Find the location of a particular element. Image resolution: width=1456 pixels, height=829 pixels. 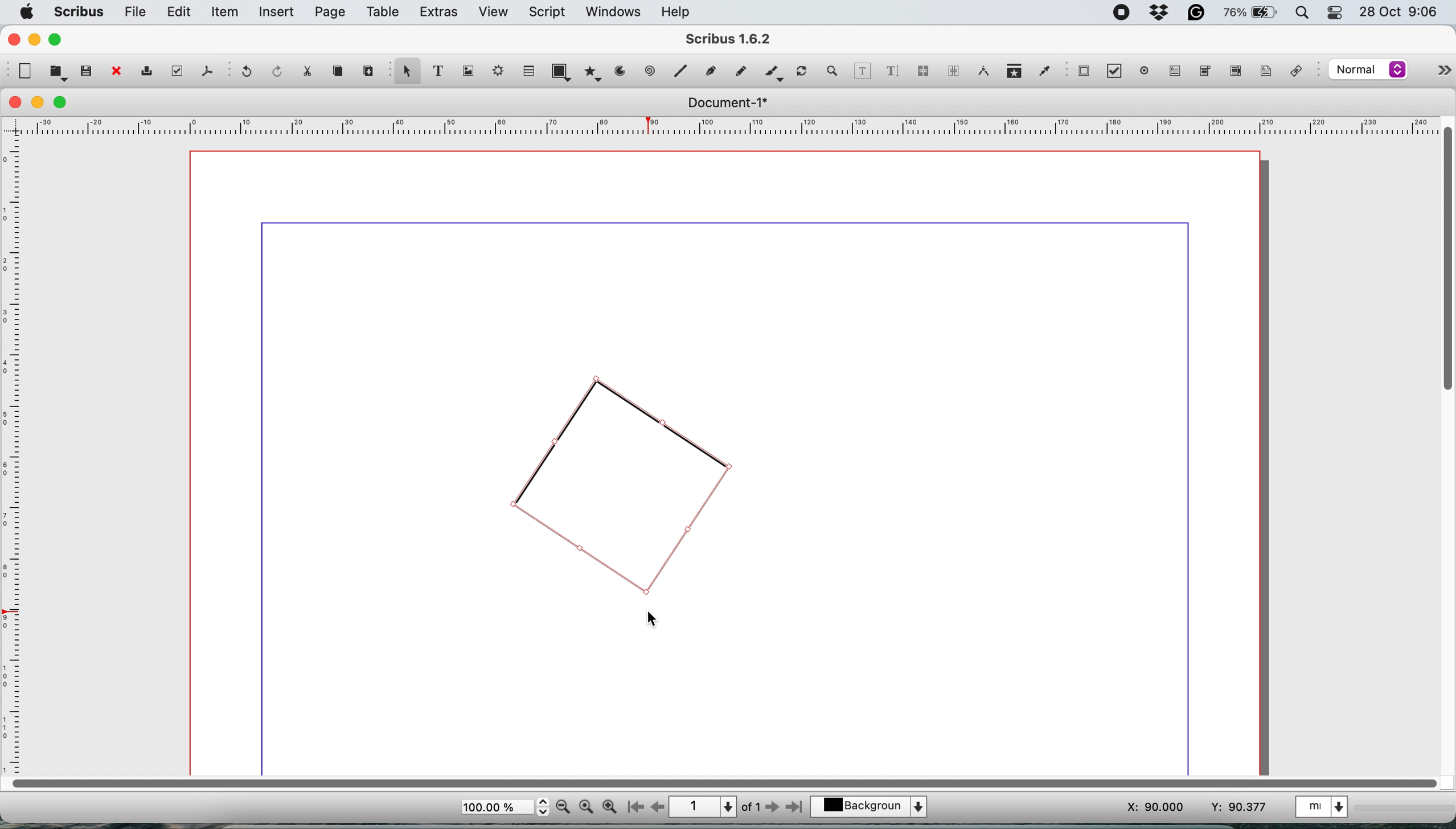

close is located at coordinates (13, 39).